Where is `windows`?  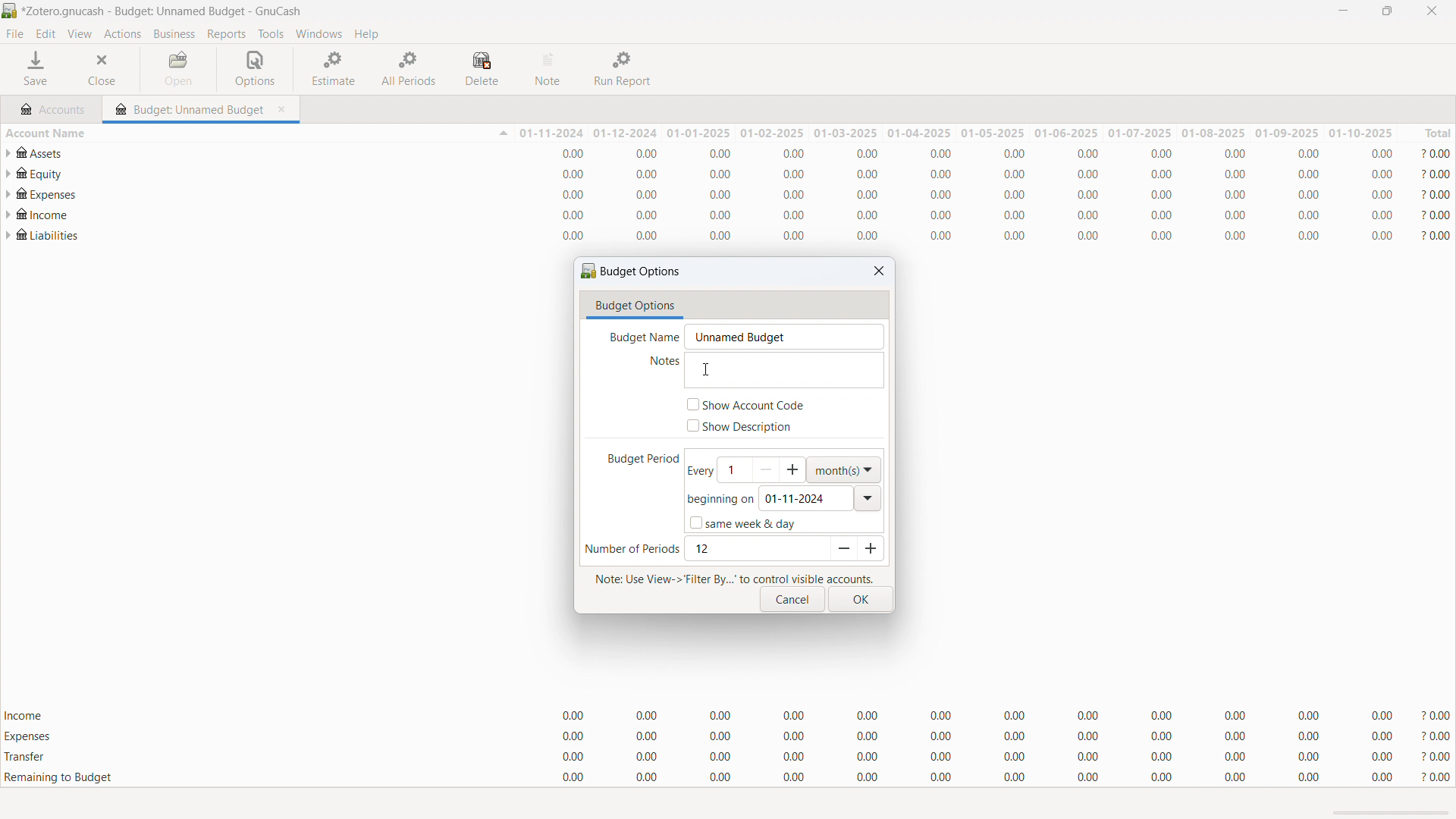 windows is located at coordinates (319, 34).